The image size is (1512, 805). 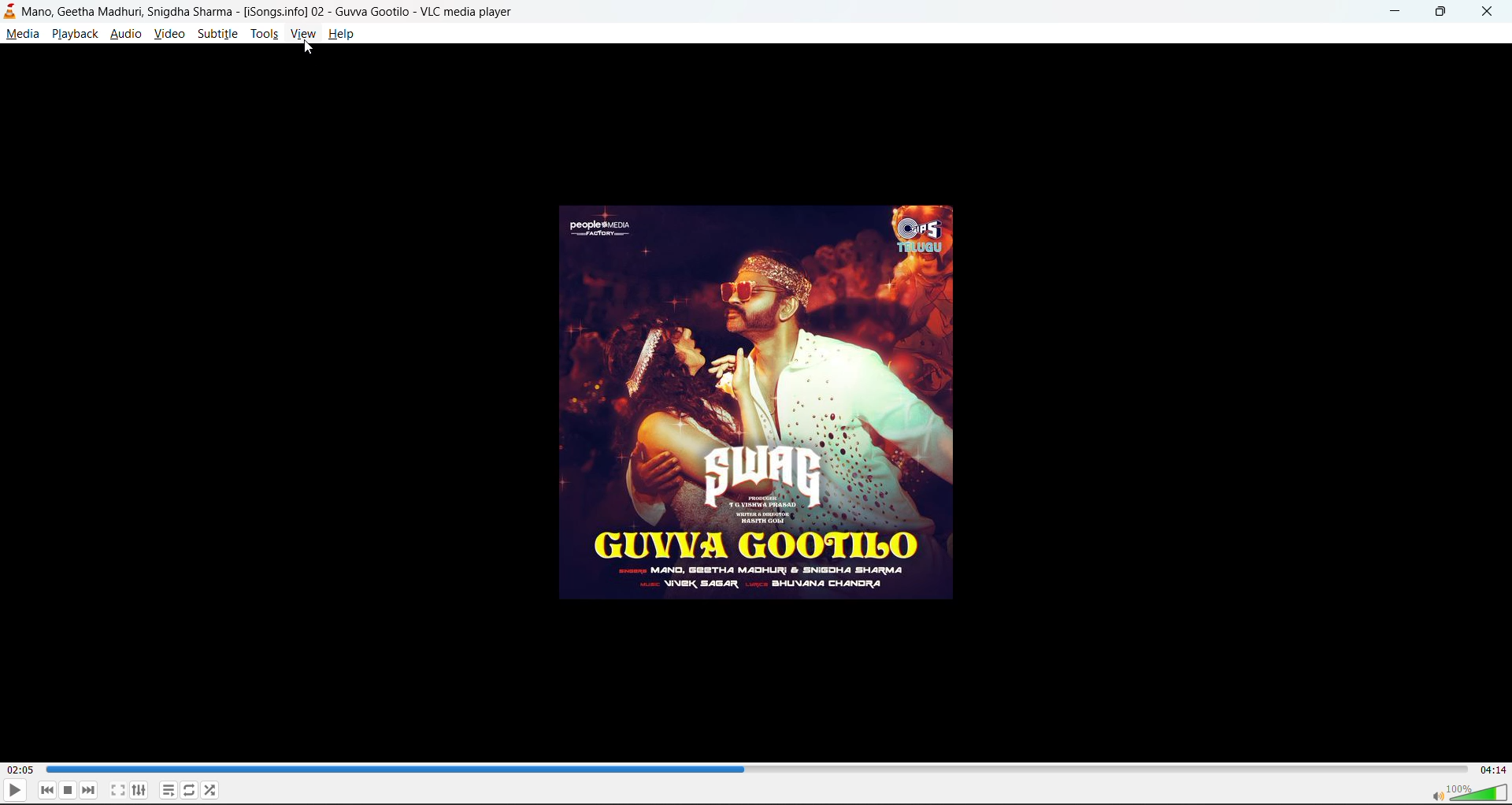 I want to click on toggle loop, so click(x=190, y=789).